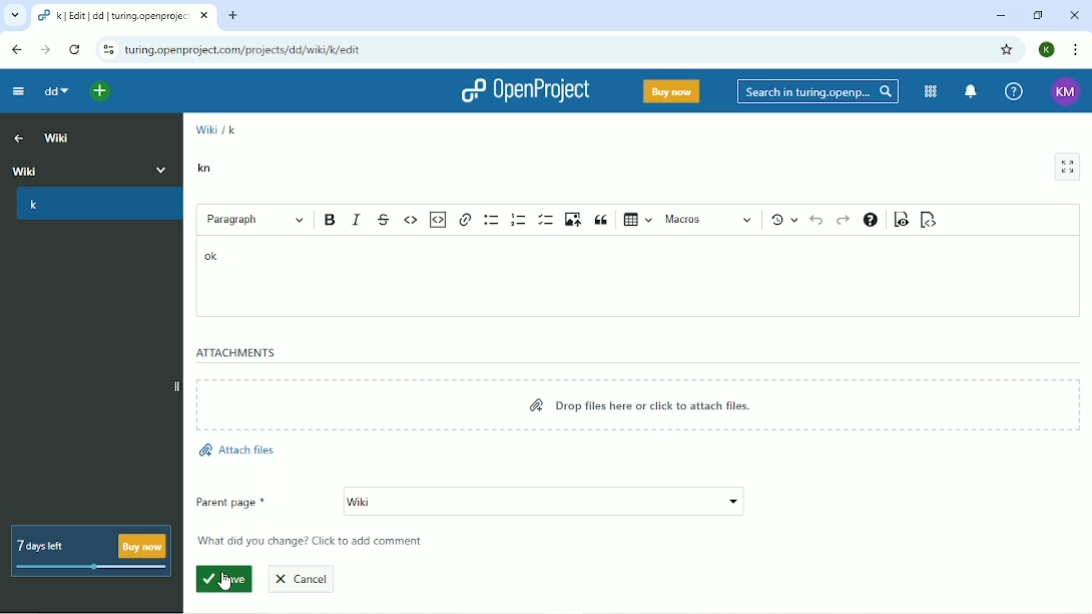 Image resolution: width=1092 pixels, height=614 pixels. I want to click on What did you change? Click to add comment., so click(317, 542).